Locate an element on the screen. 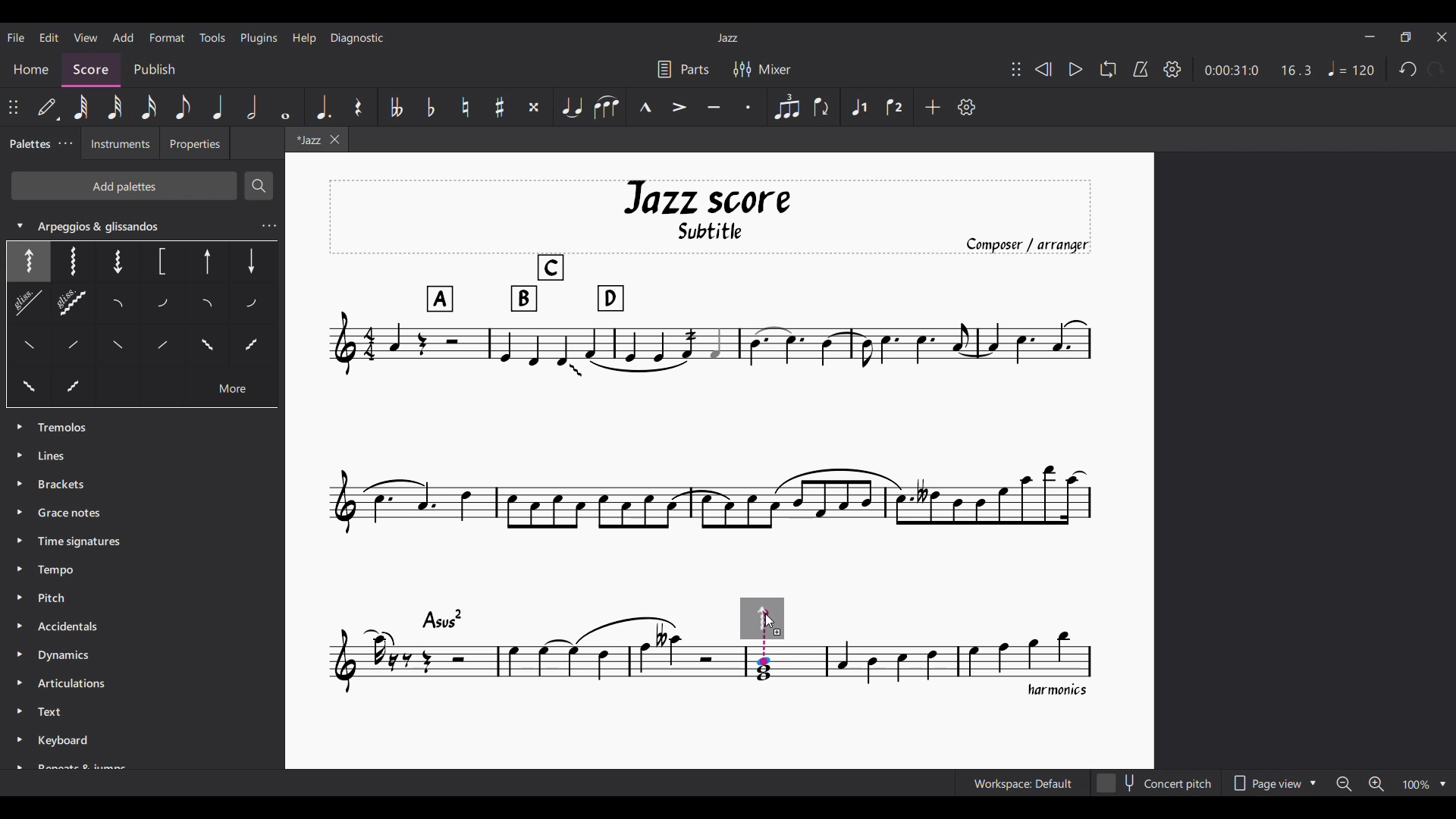 Image resolution: width=1456 pixels, height=819 pixels. Tuplet is located at coordinates (786, 107).